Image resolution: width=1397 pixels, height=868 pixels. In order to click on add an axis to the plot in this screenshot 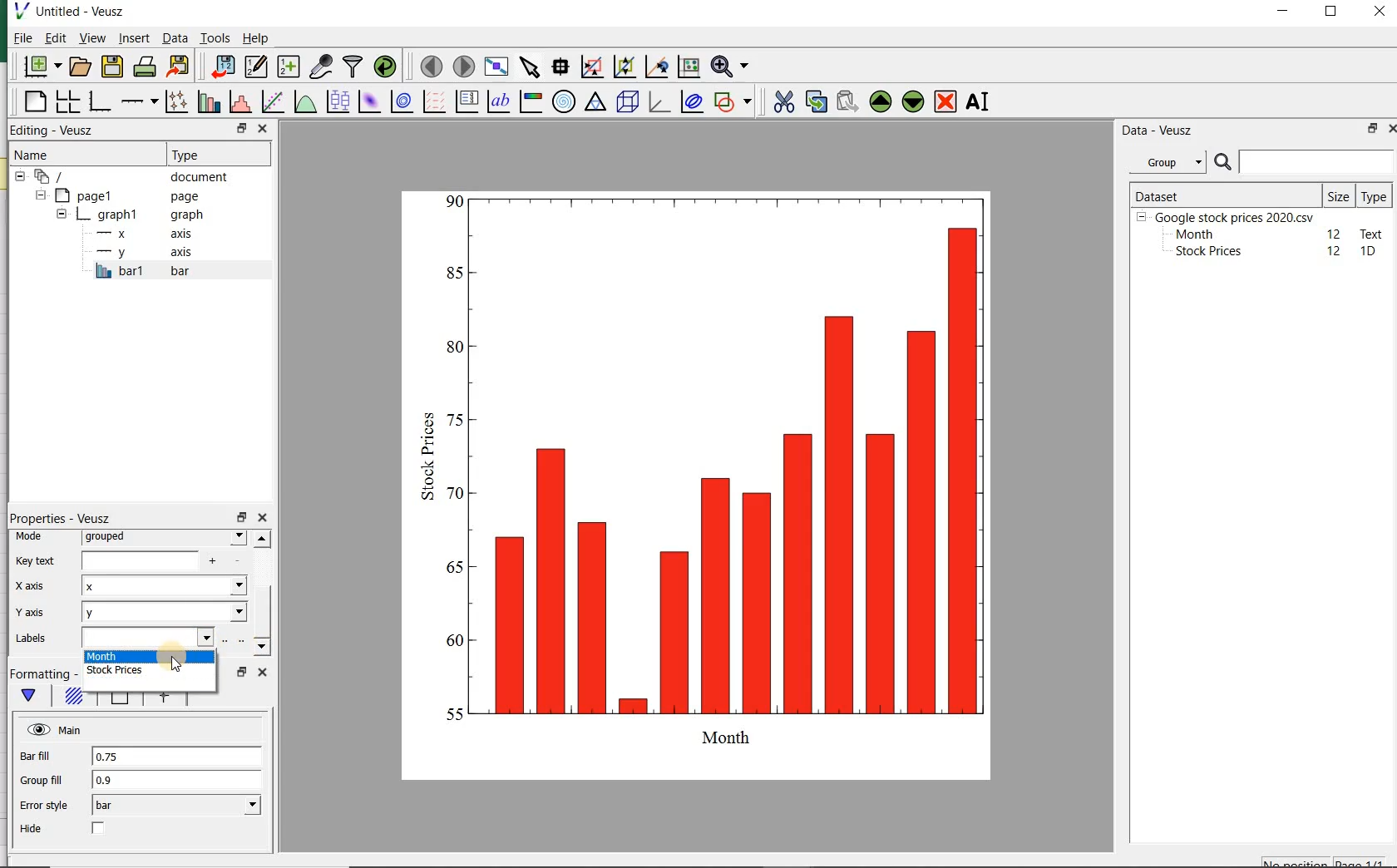, I will do `click(138, 103)`.